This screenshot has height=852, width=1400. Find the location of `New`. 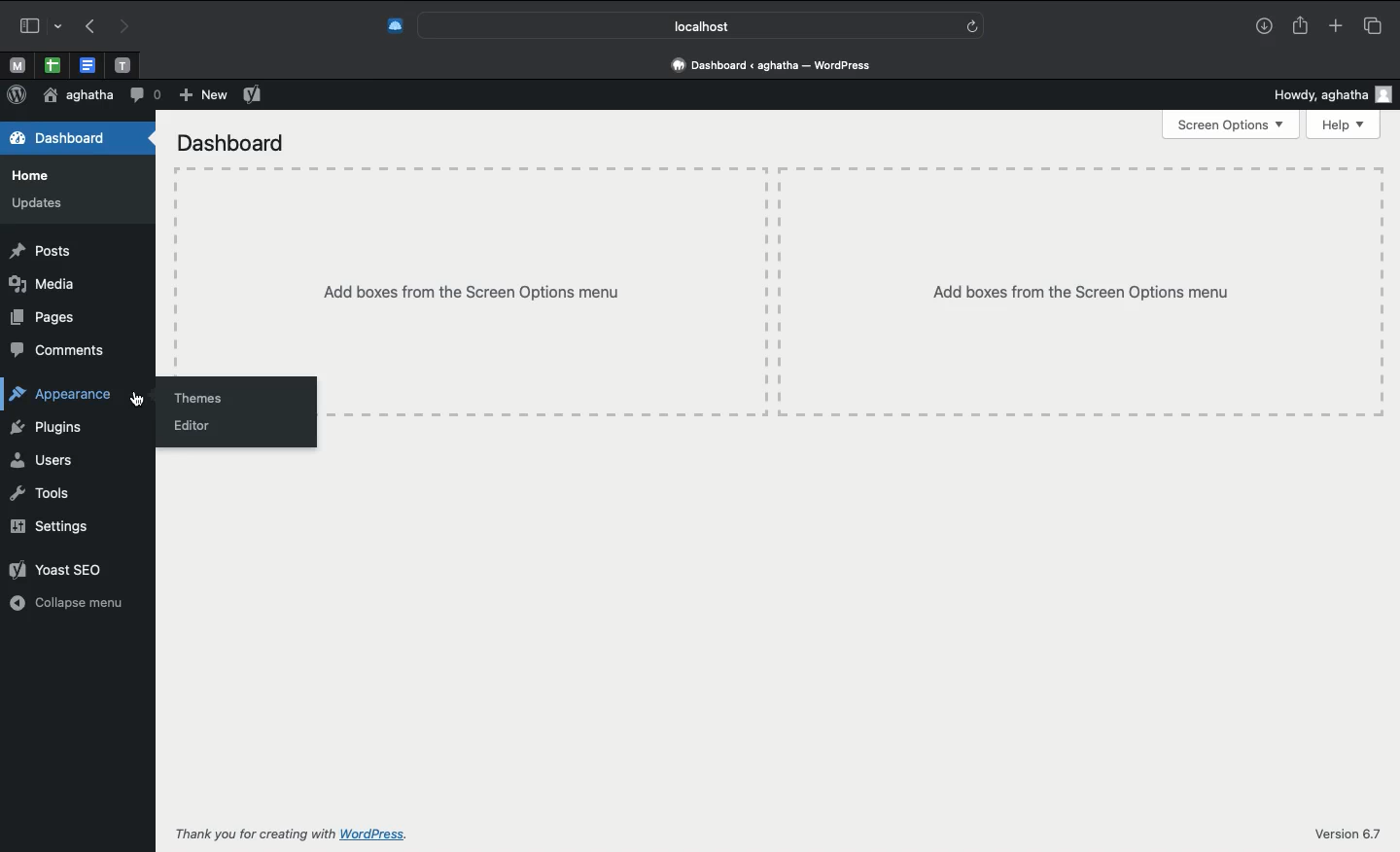

New is located at coordinates (200, 96).